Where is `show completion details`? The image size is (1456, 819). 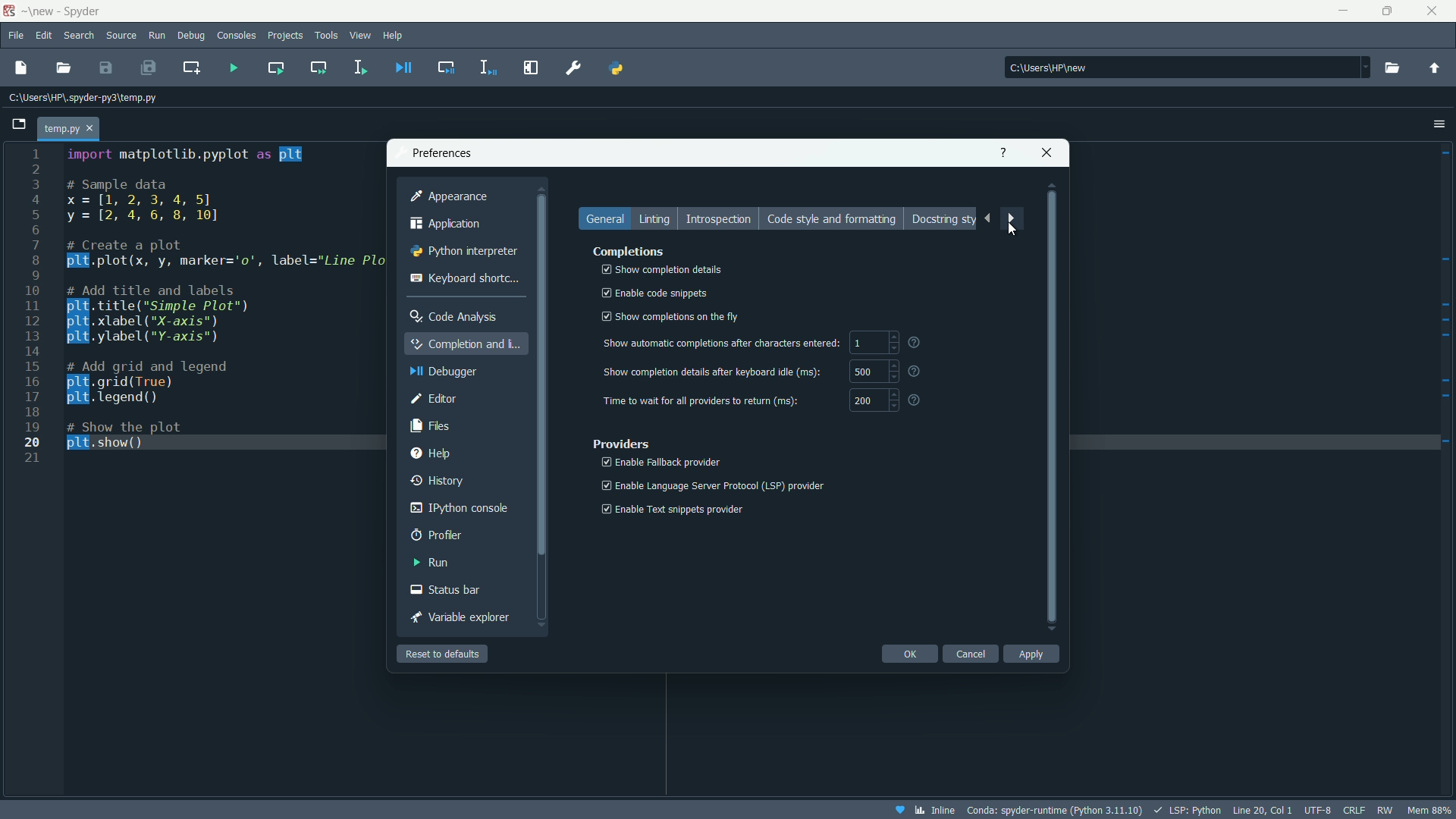
show completion details is located at coordinates (658, 269).